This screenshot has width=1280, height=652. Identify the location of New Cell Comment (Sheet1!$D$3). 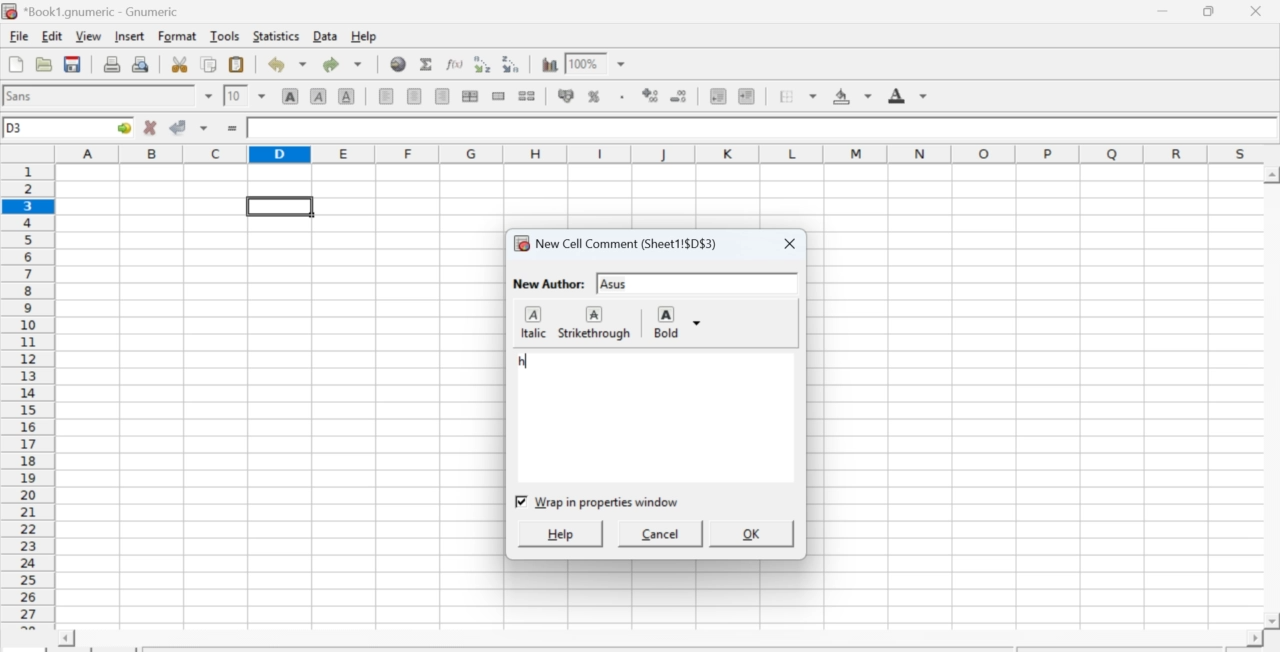
(628, 241).